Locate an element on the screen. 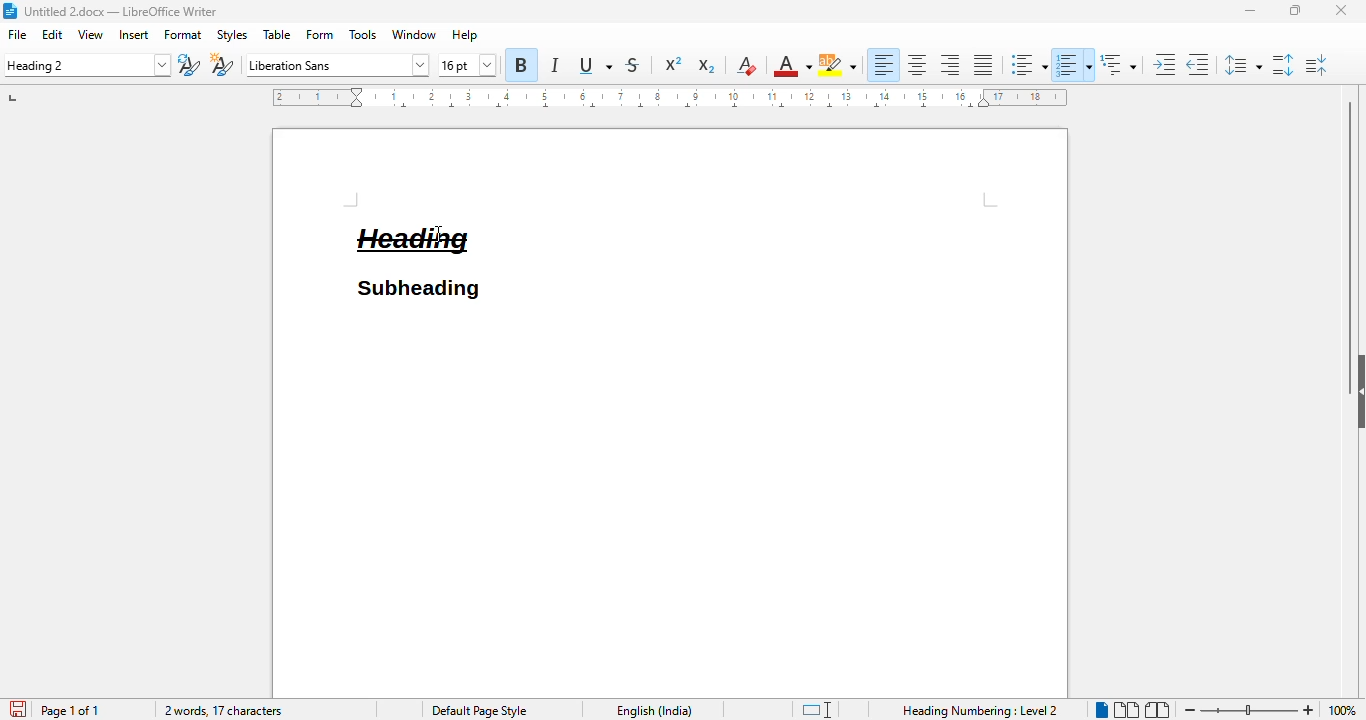  view is located at coordinates (91, 34).